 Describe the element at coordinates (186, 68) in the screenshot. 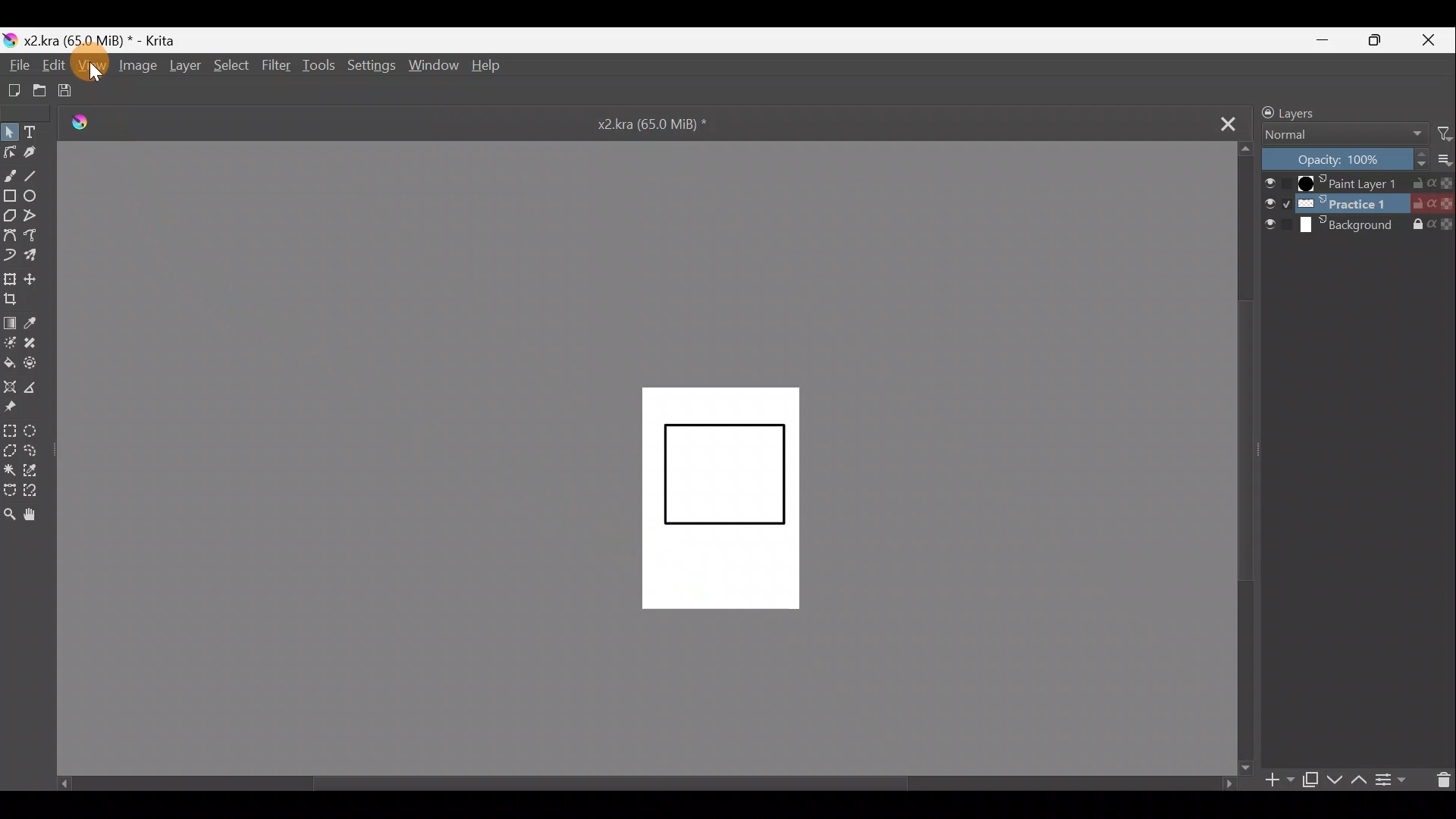

I see `Layer` at that location.